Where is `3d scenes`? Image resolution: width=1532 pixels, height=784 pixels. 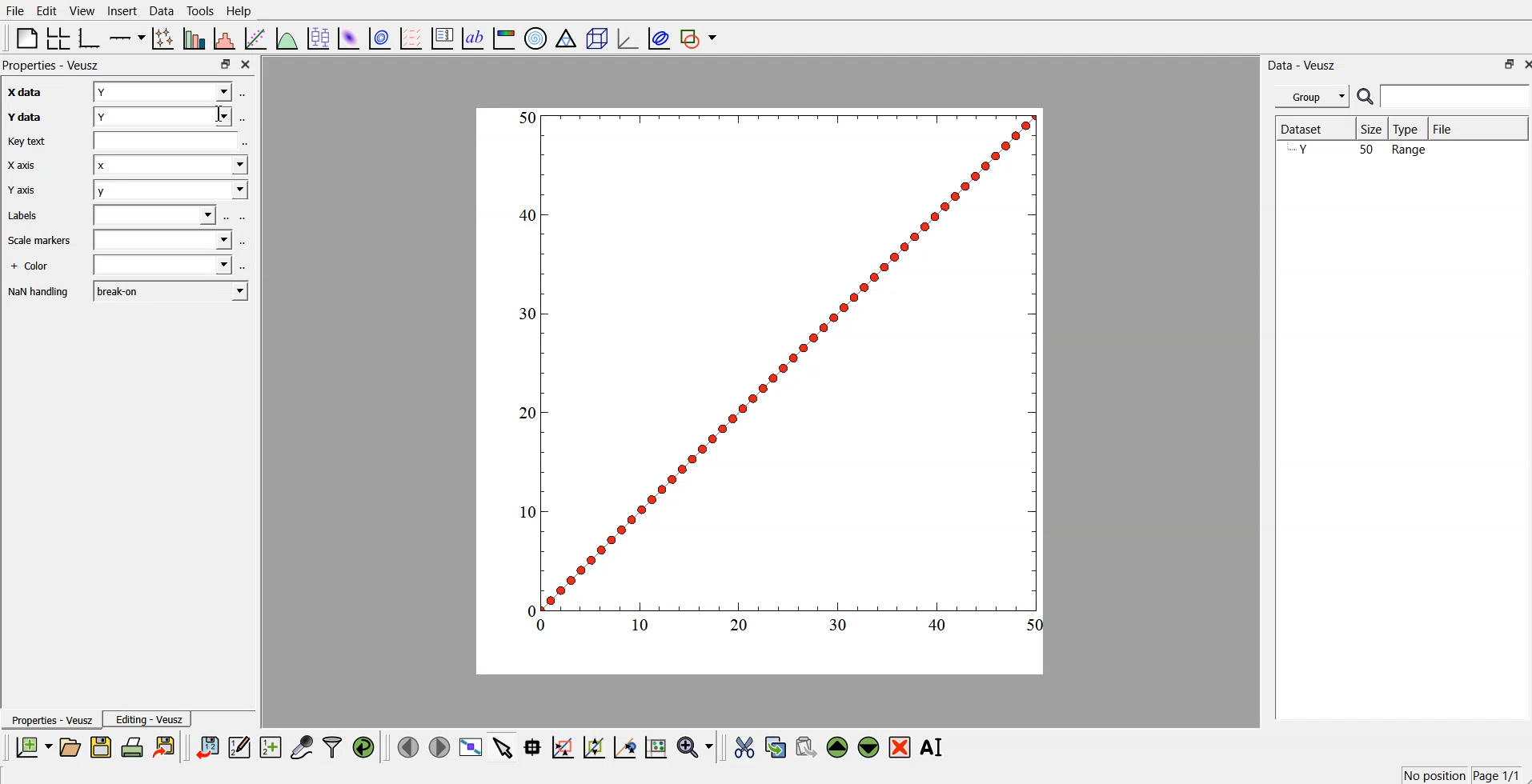 3d scenes is located at coordinates (595, 35).